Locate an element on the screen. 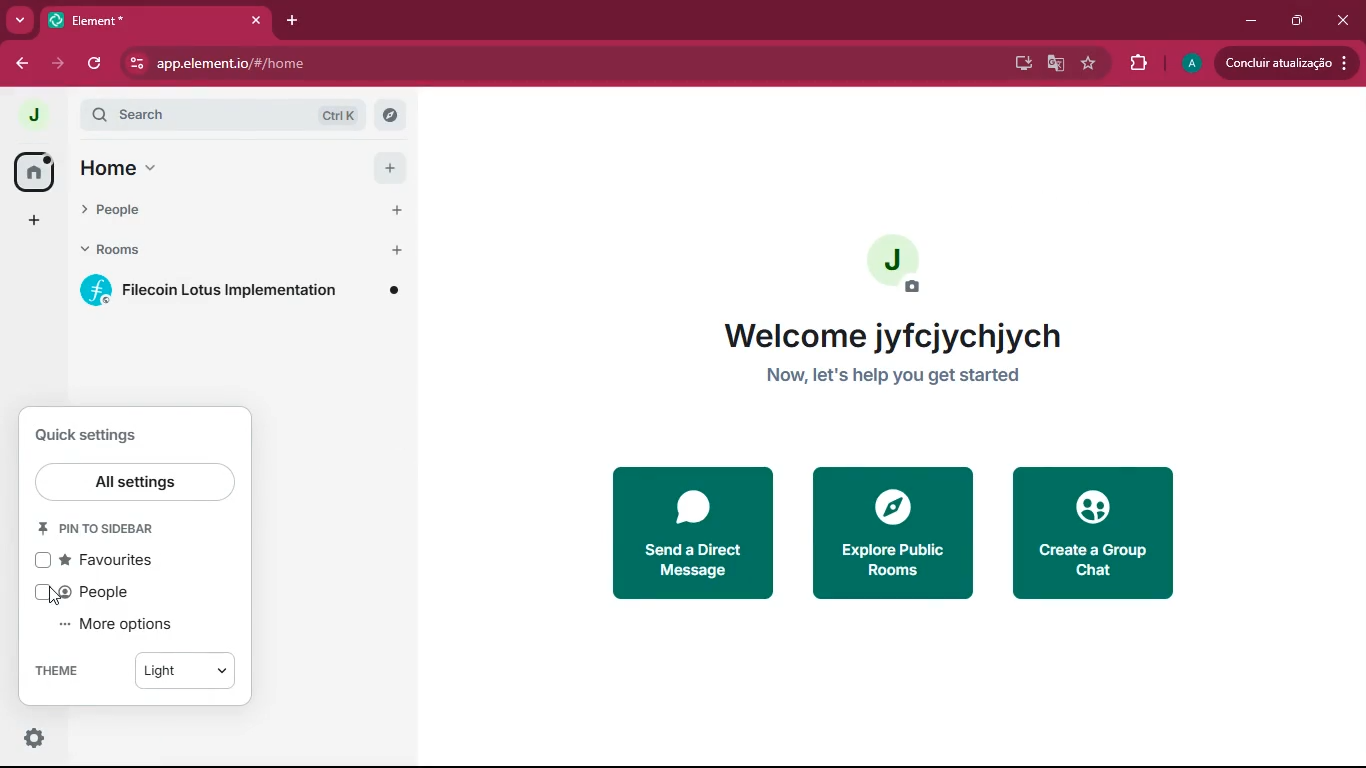  extensions is located at coordinates (1135, 64).